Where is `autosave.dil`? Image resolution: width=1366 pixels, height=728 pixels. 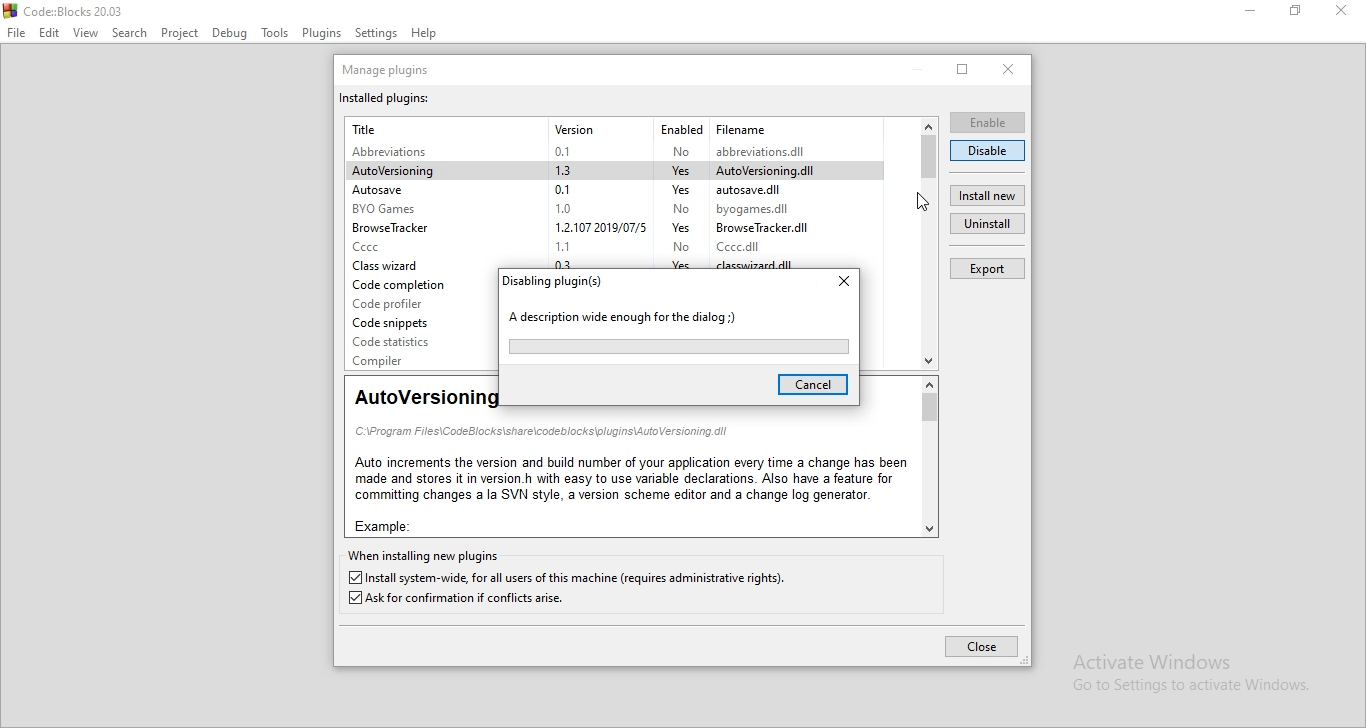
autosave.dil is located at coordinates (764, 189).